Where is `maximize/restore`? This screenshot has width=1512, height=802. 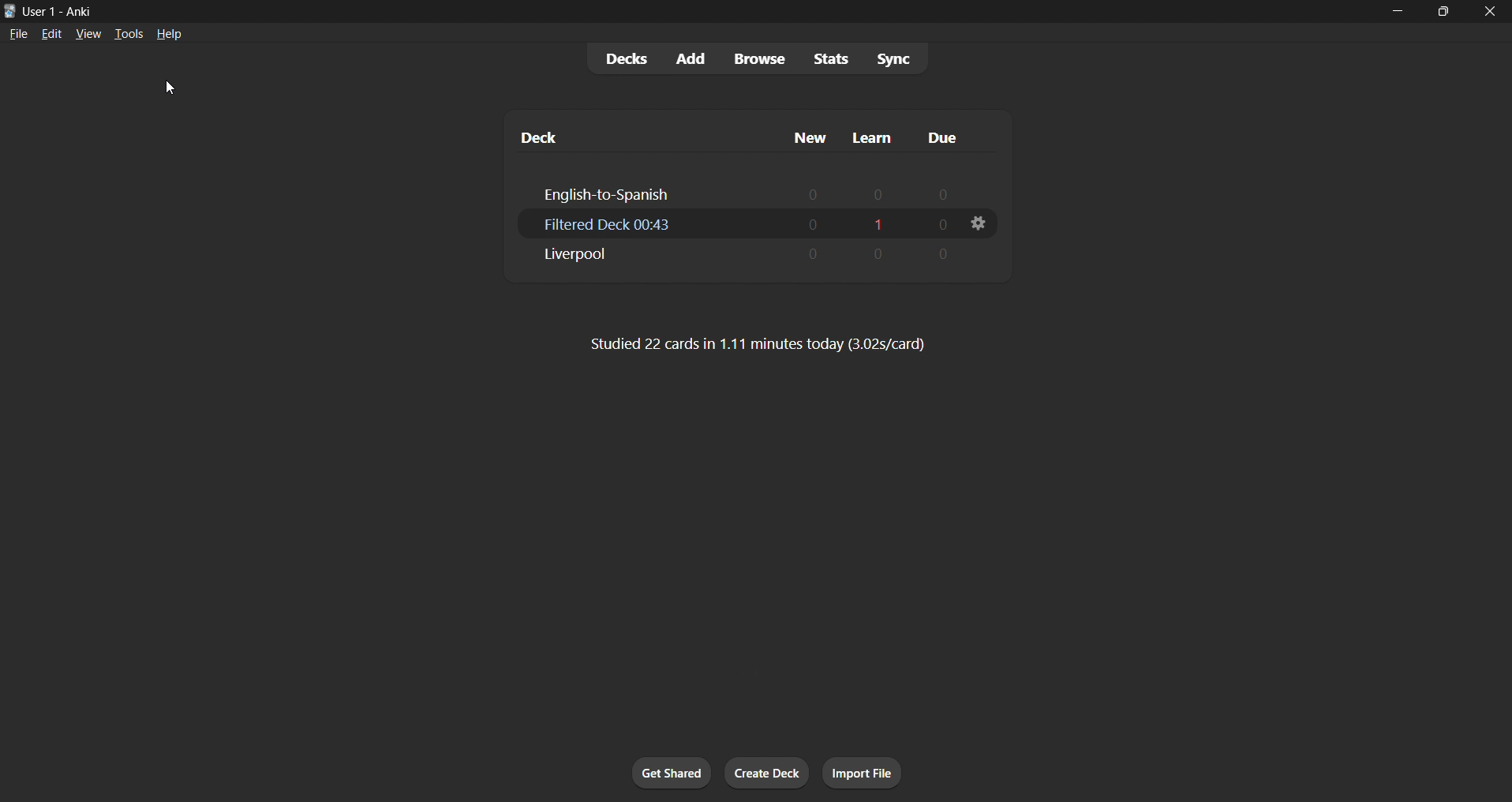 maximize/restore is located at coordinates (1439, 10).